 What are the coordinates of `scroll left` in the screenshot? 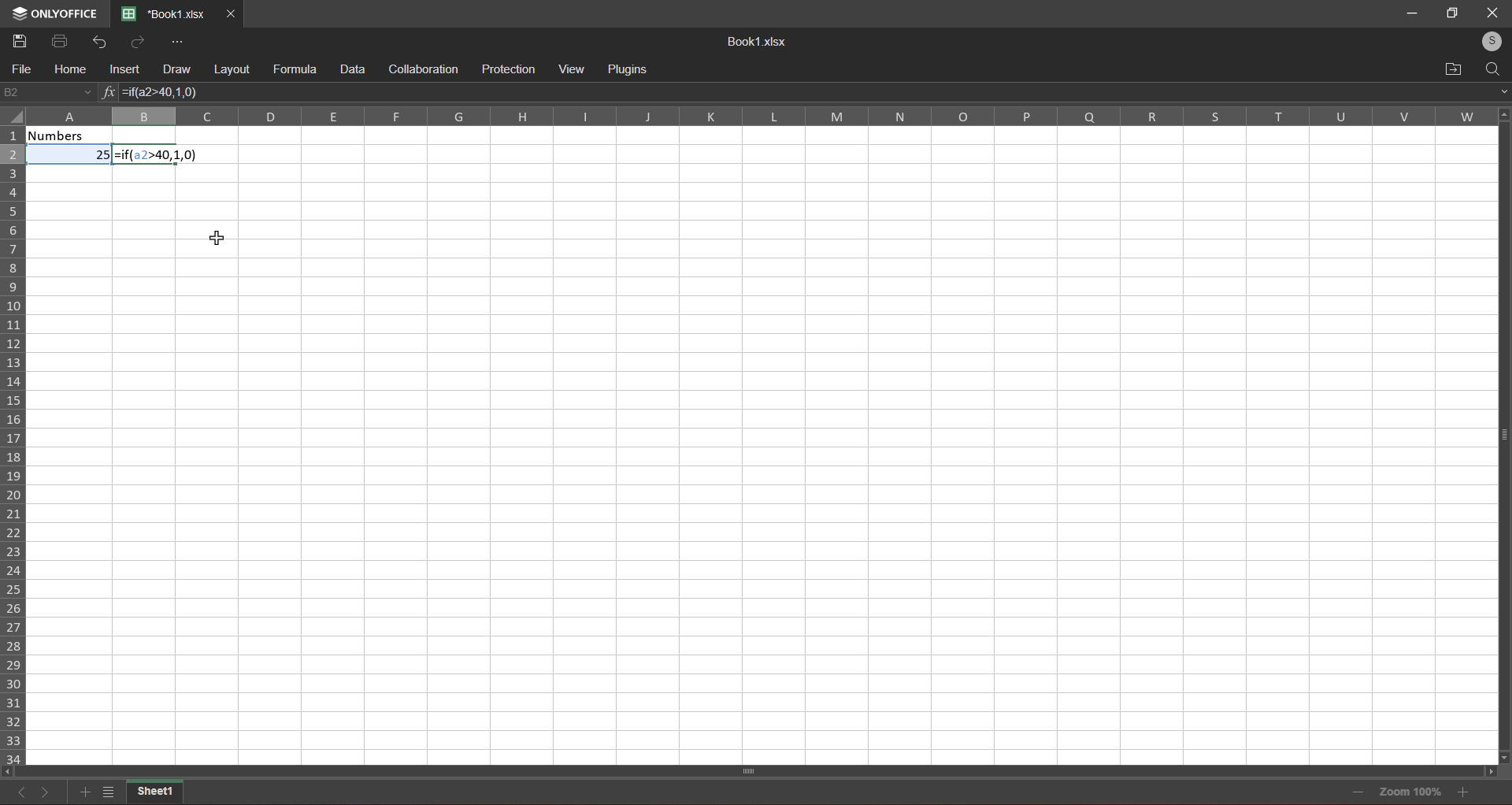 It's located at (12, 770).